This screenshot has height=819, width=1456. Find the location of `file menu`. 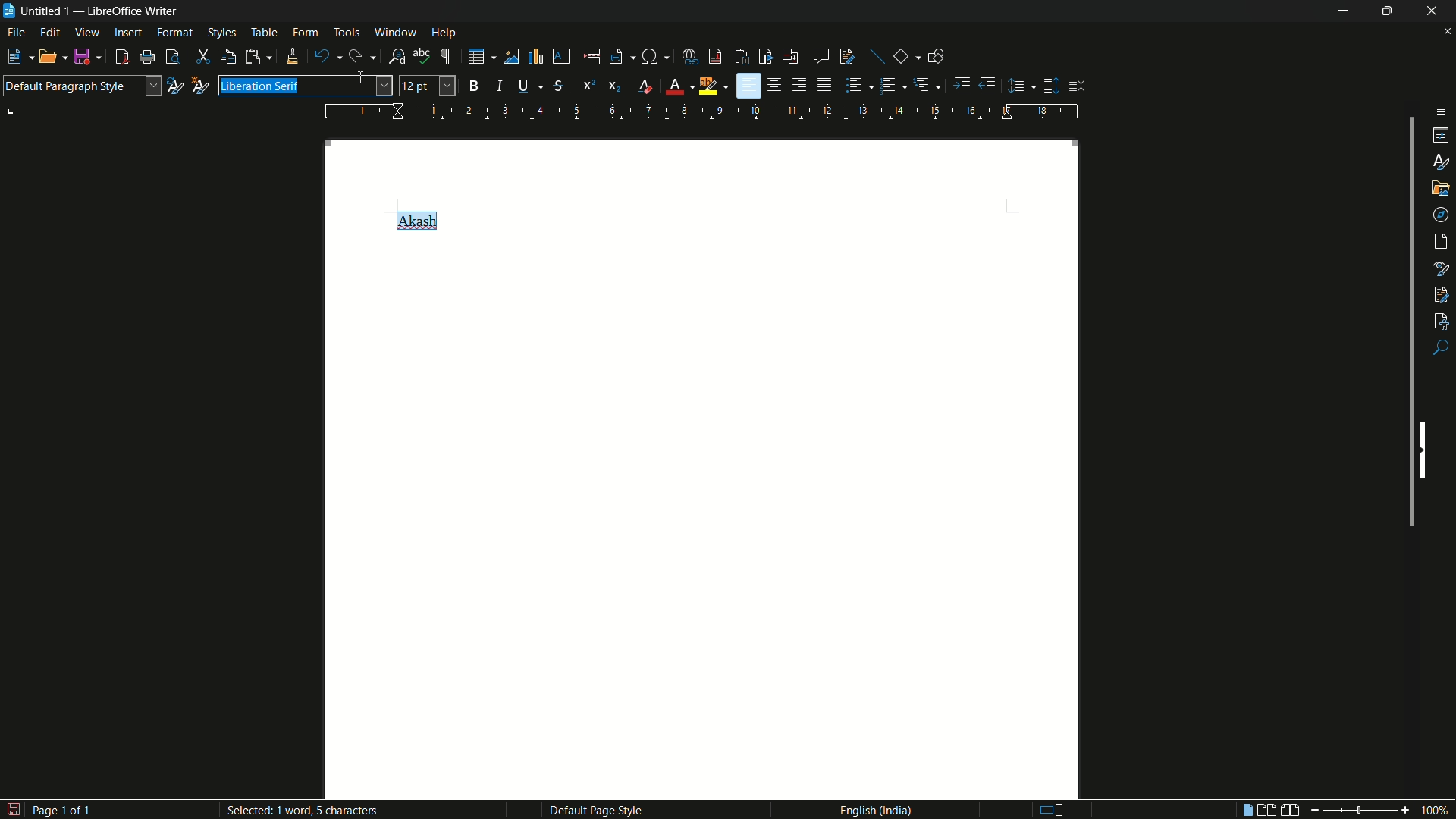

file menu is located at coordinates (17, 34).